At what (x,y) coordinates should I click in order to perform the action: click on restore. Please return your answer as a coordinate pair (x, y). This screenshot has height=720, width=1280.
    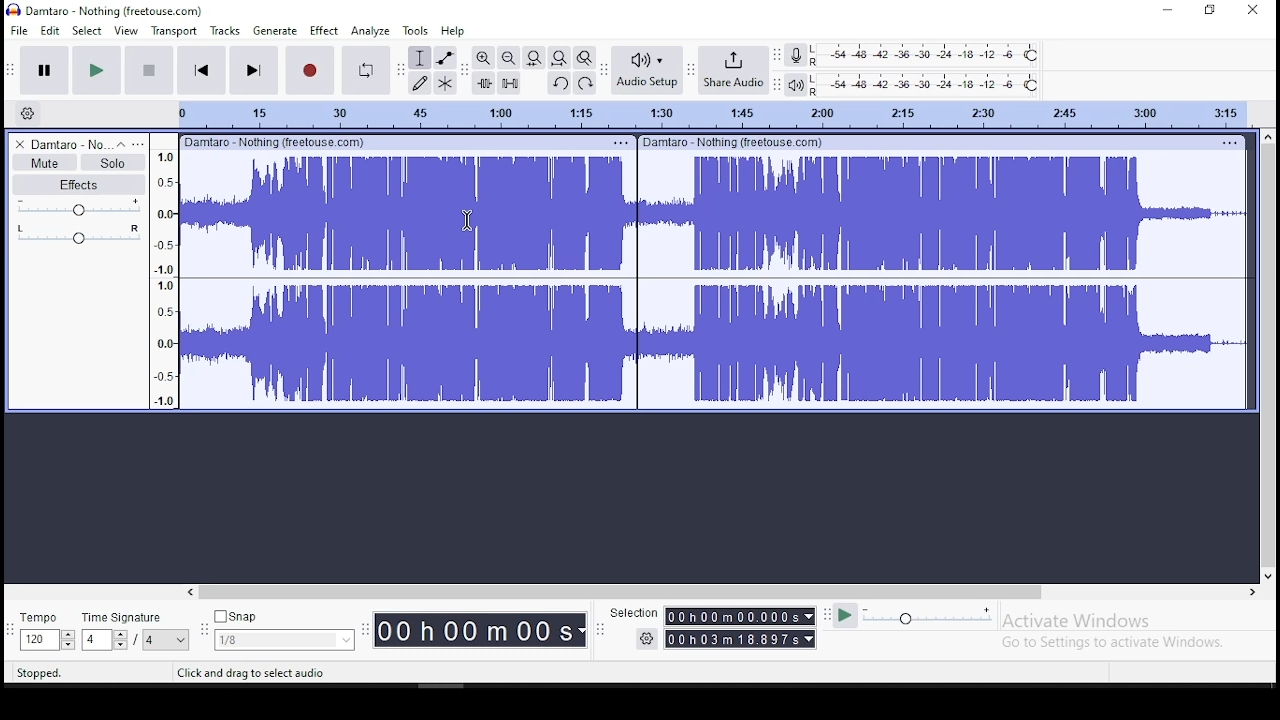
    Looking at the image, I should click on (1210, 11).